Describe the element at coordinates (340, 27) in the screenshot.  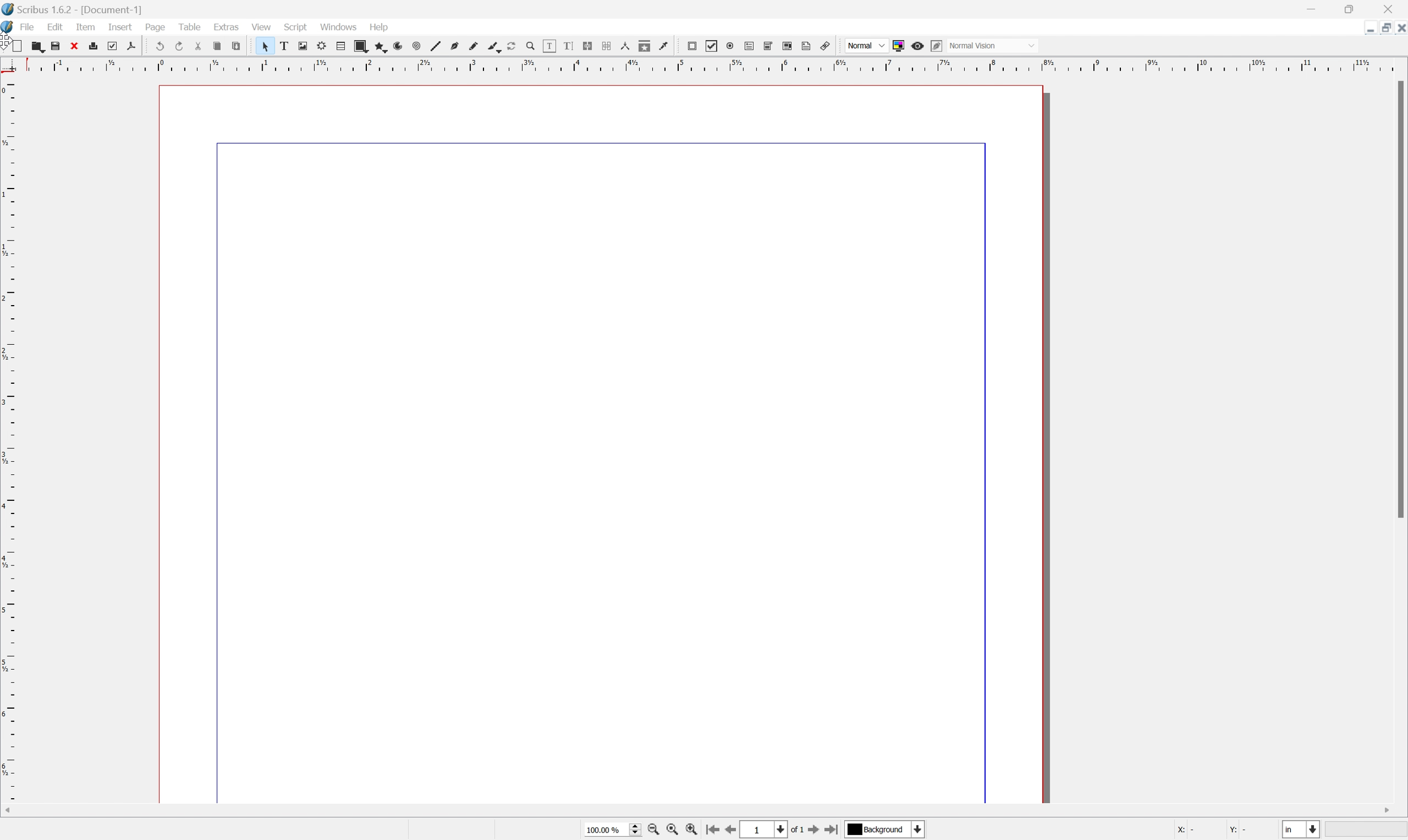
I see `windows` at that location.